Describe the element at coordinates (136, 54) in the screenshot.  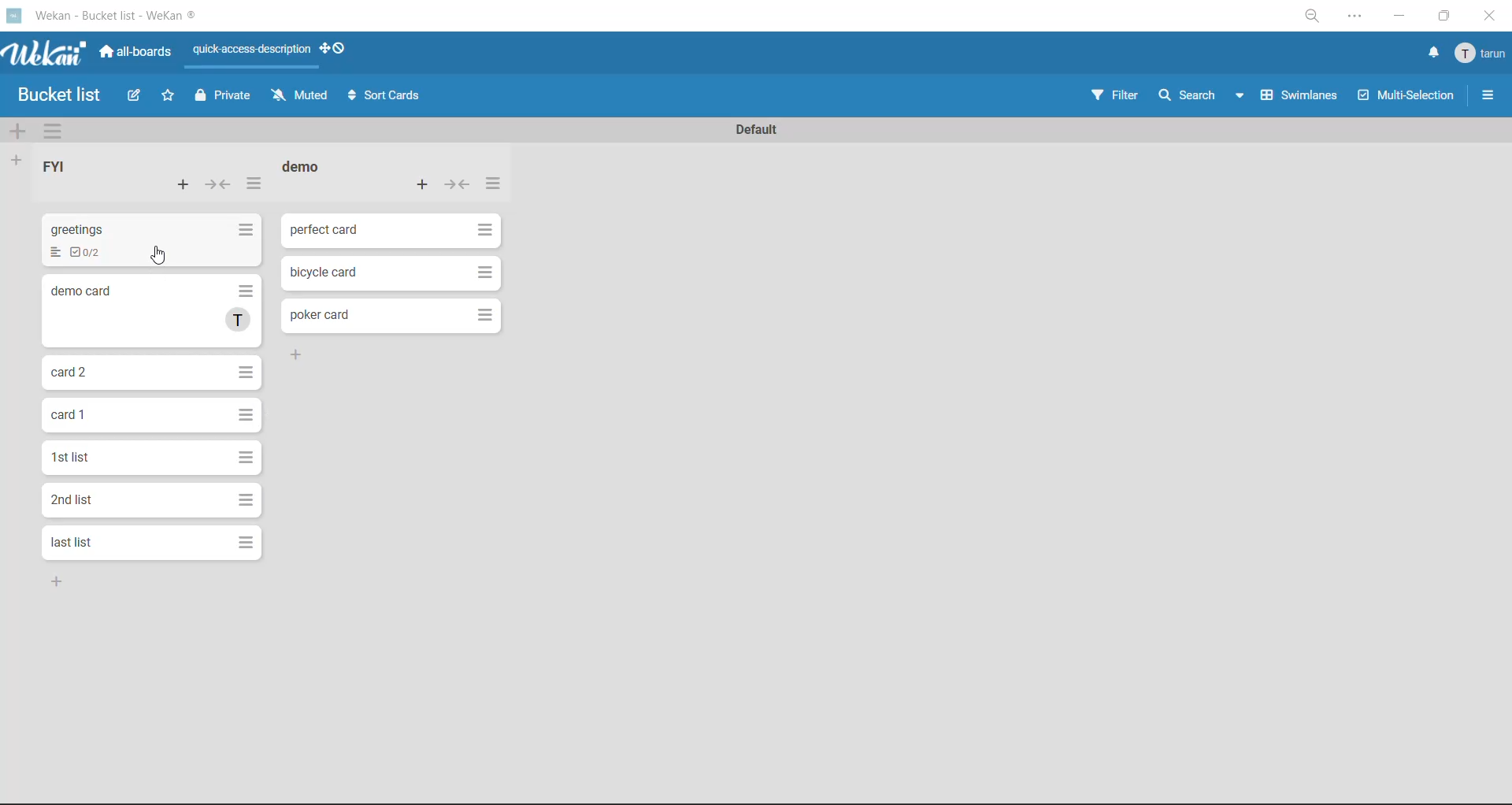
I see `all boards` at that location.